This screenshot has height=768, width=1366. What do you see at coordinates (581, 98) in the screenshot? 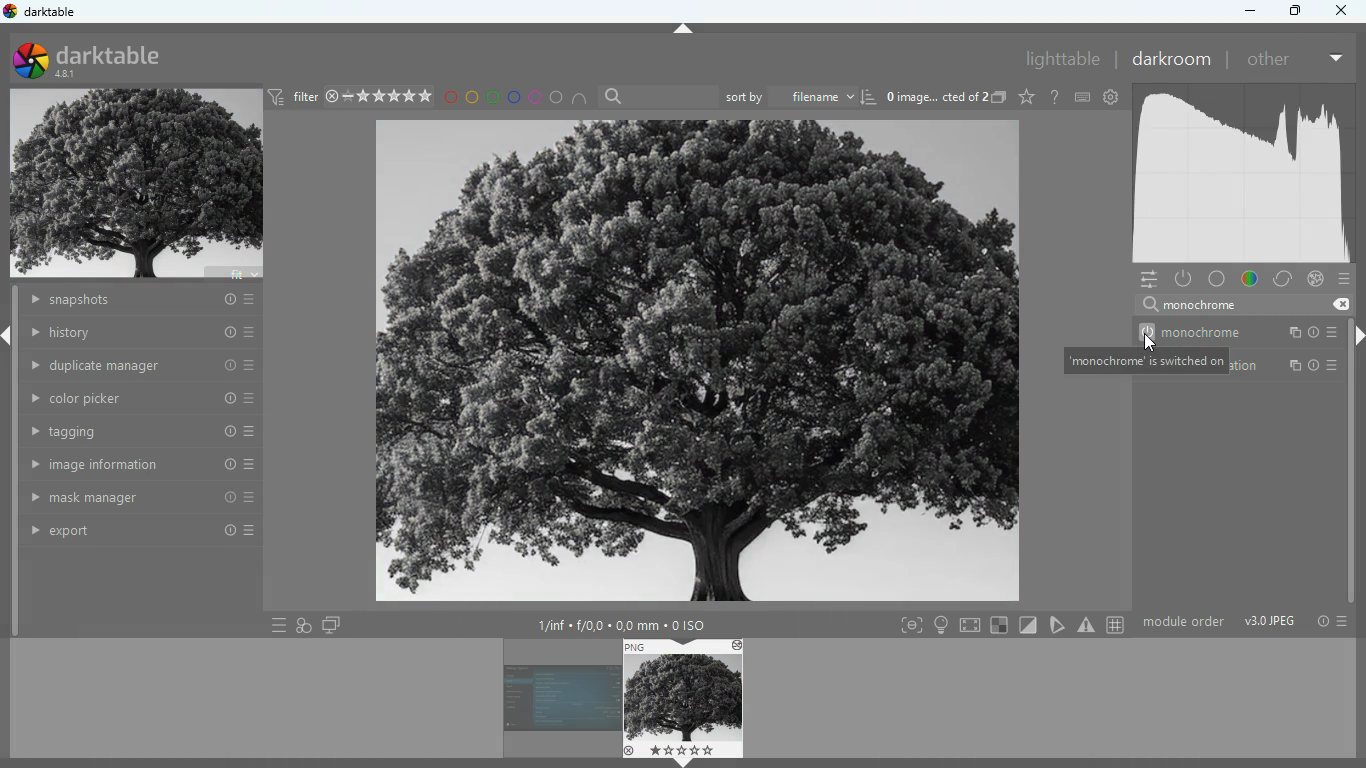
I see `semi circle` at bounding box center [581, 98].